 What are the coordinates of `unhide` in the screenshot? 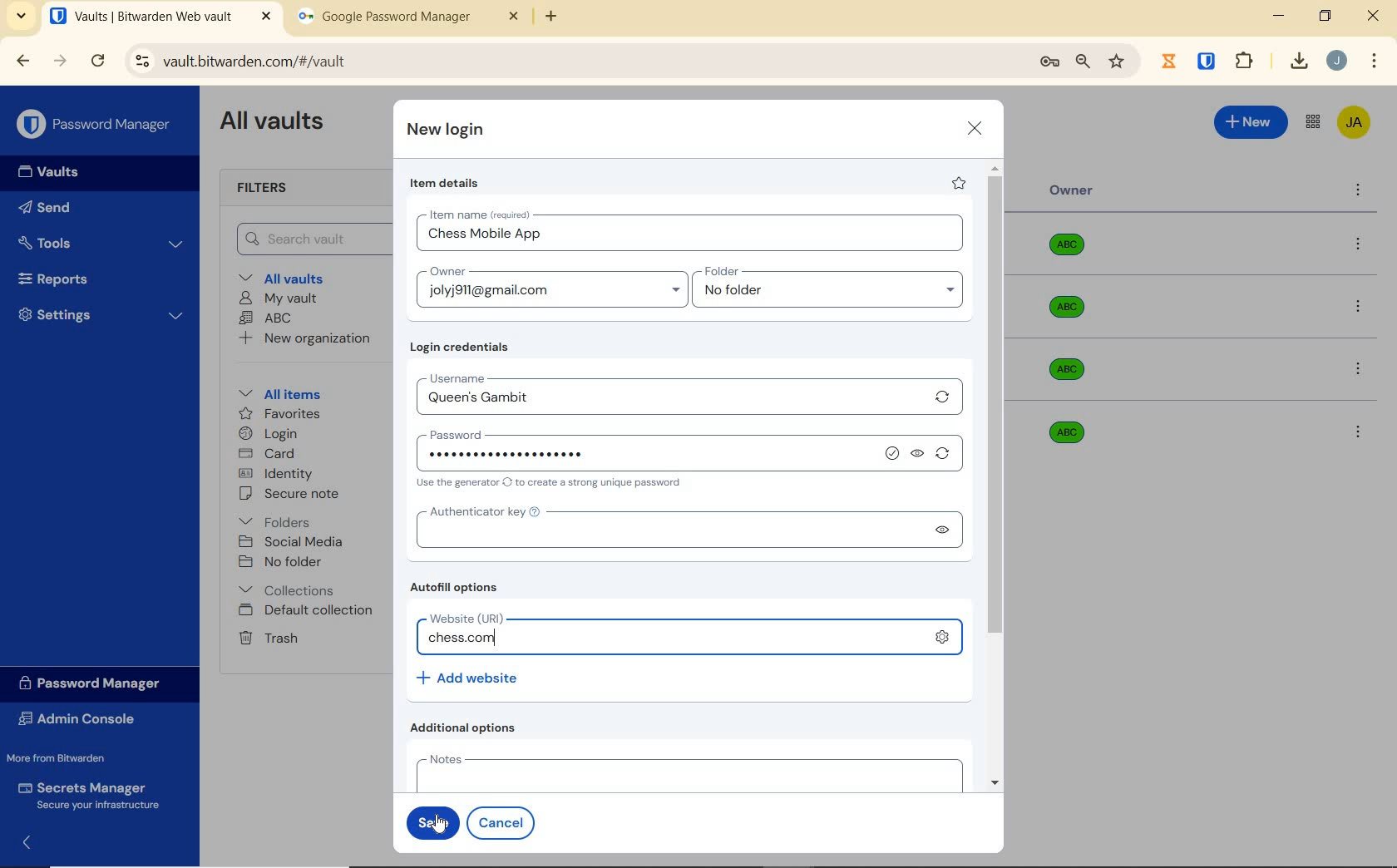 It's located at (940, 530).